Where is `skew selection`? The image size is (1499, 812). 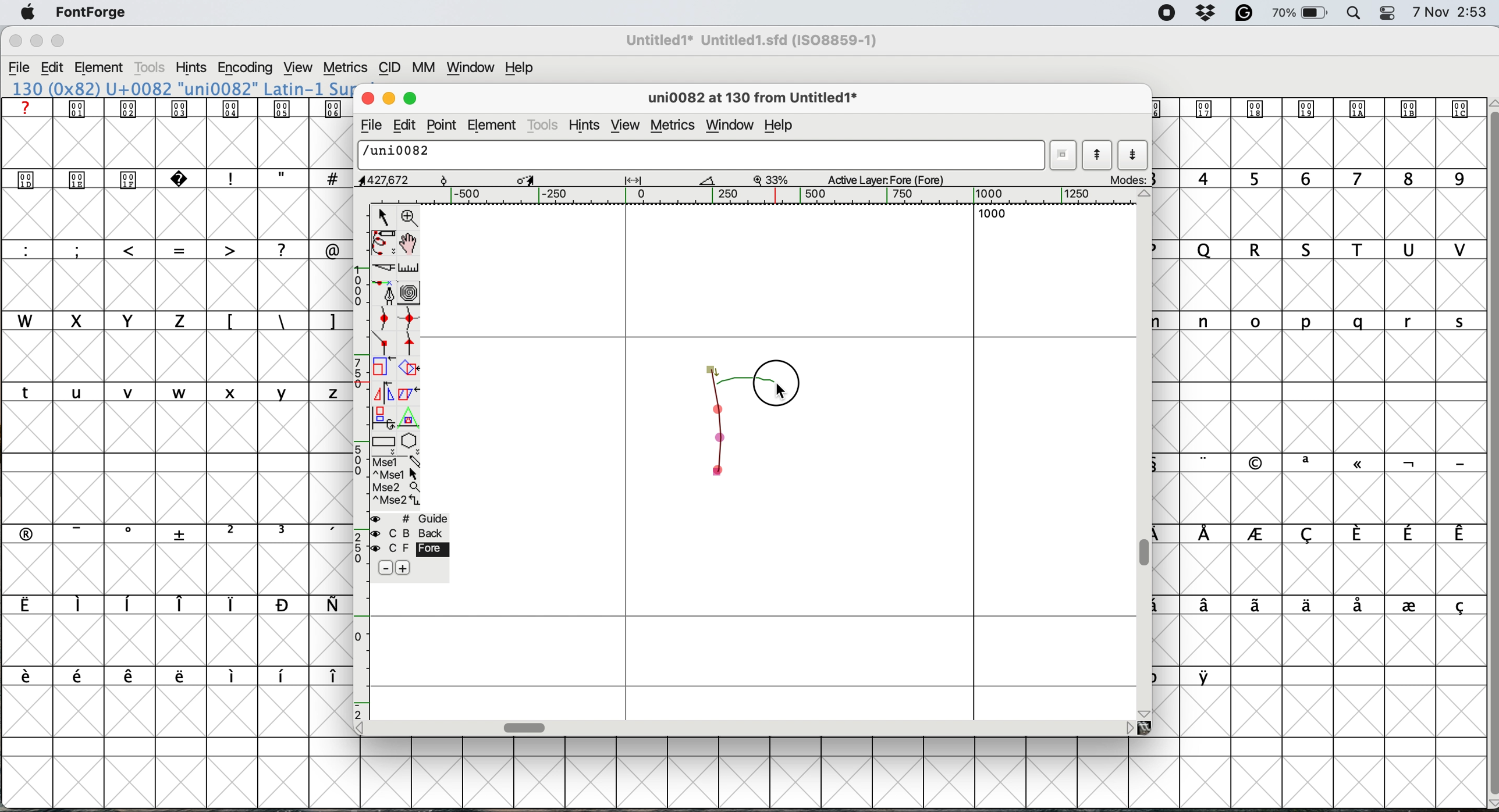 skew selection is located at coordinates (406, 393).